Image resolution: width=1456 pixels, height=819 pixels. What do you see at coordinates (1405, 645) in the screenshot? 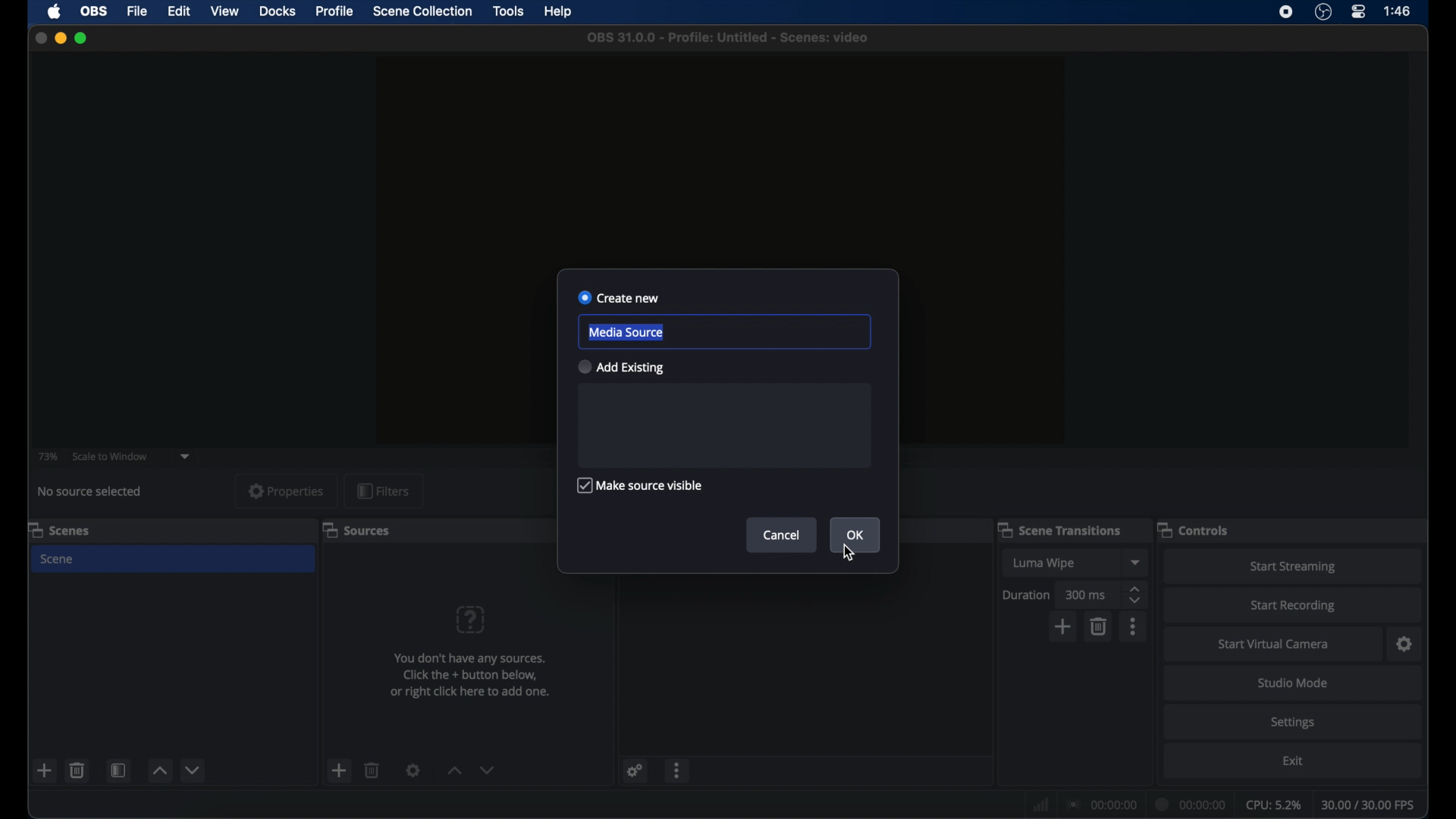
I see `settings` at bounding box center [1405, 645].